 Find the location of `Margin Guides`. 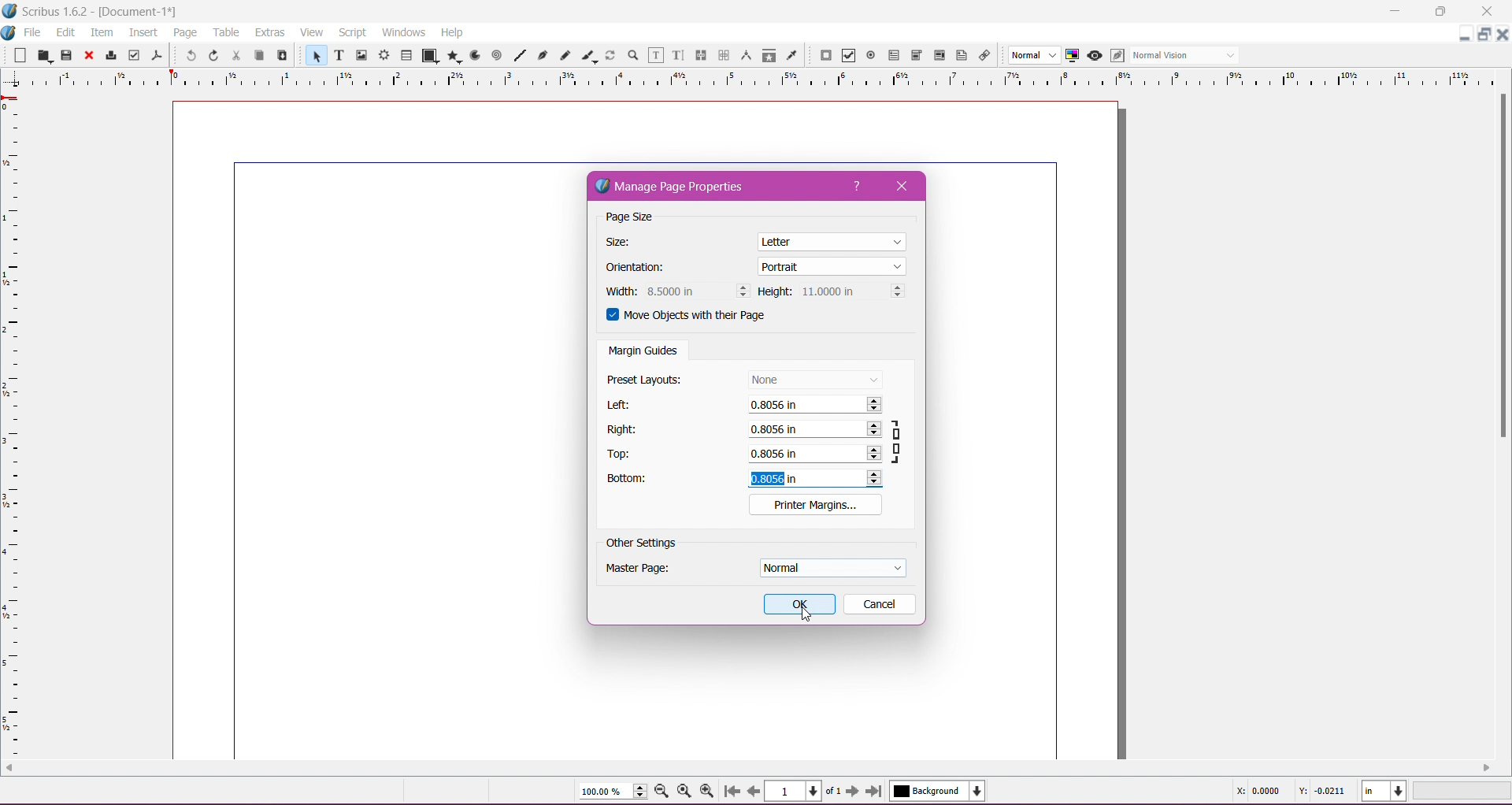

Margin Guides is located at coordinates (643, 352).